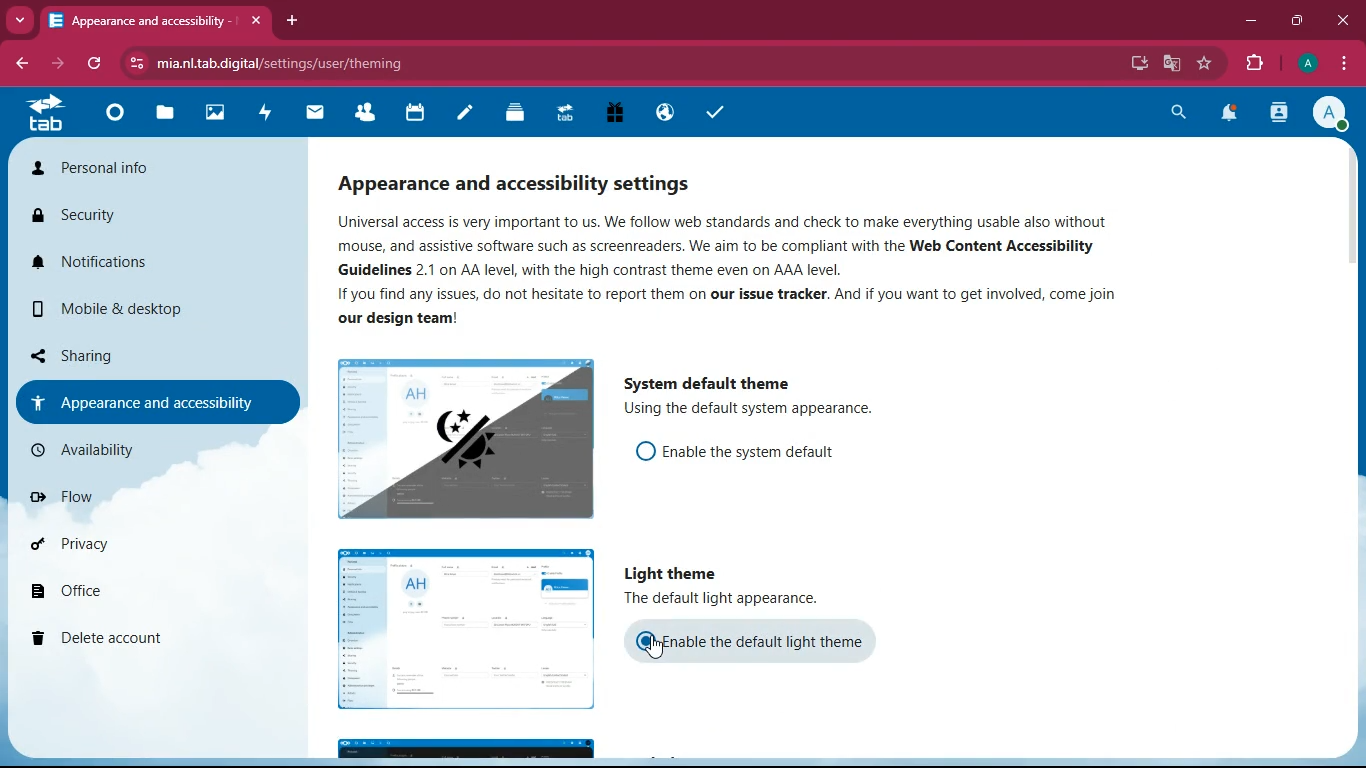 The image size is (1366, 768). Describe the element at coordinates (1207, 61) in the screenshot. I see `favourite` at that location.